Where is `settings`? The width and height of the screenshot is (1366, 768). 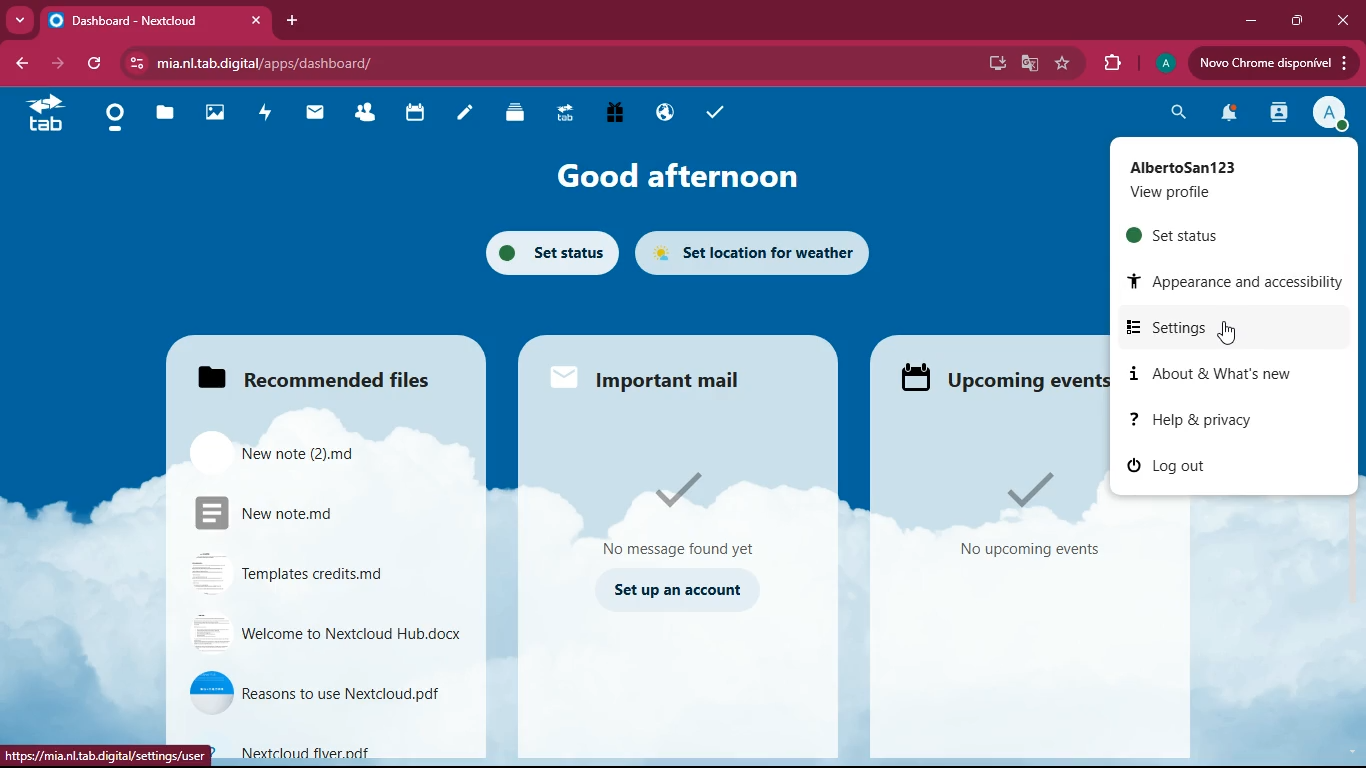
settings is located at coordinates (1226, 327).